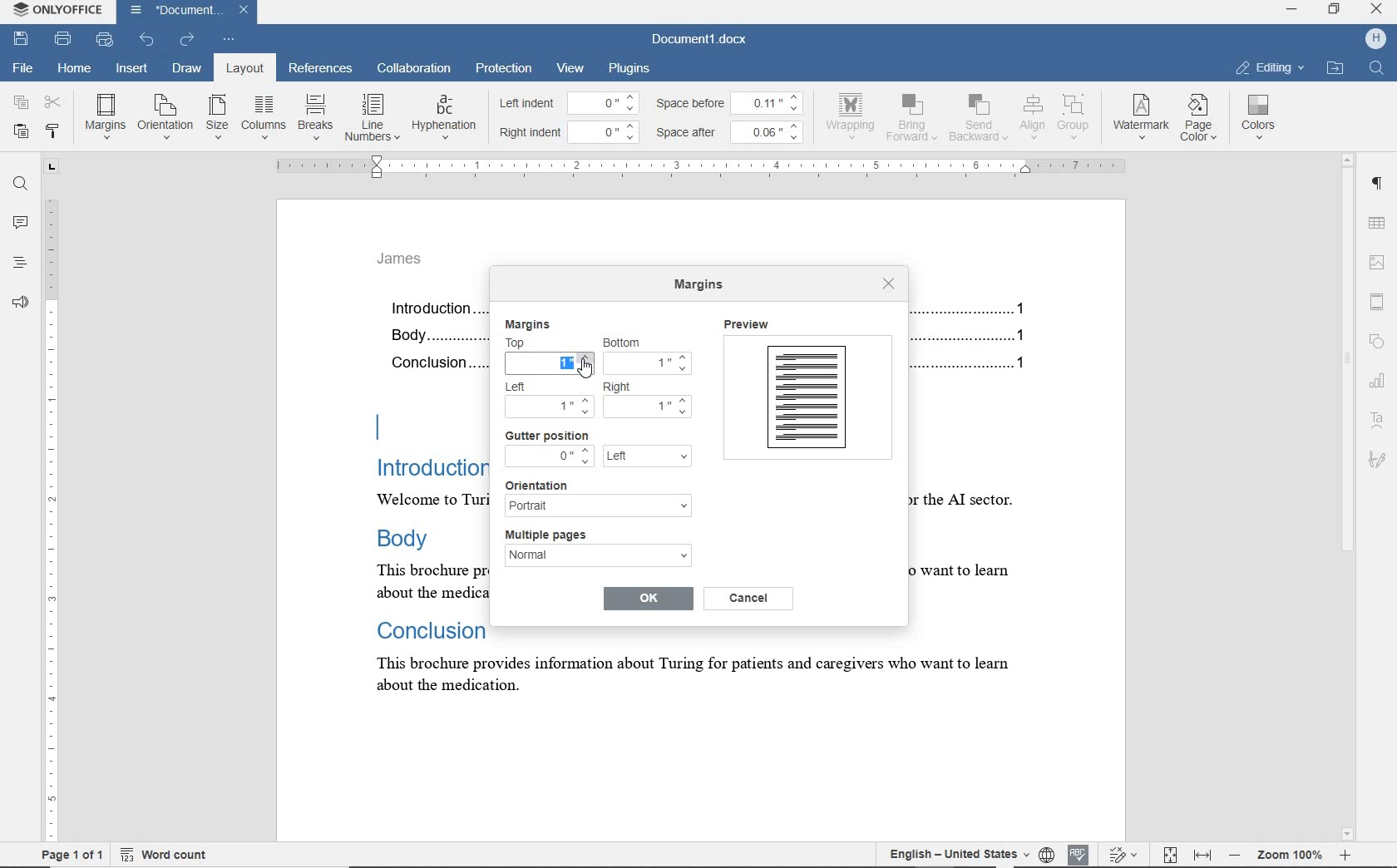 The image size is (1397, 868). What do you see at coordinates (702, 287) in the screenshot?
I see `margins` at bounding box center [702, 287].